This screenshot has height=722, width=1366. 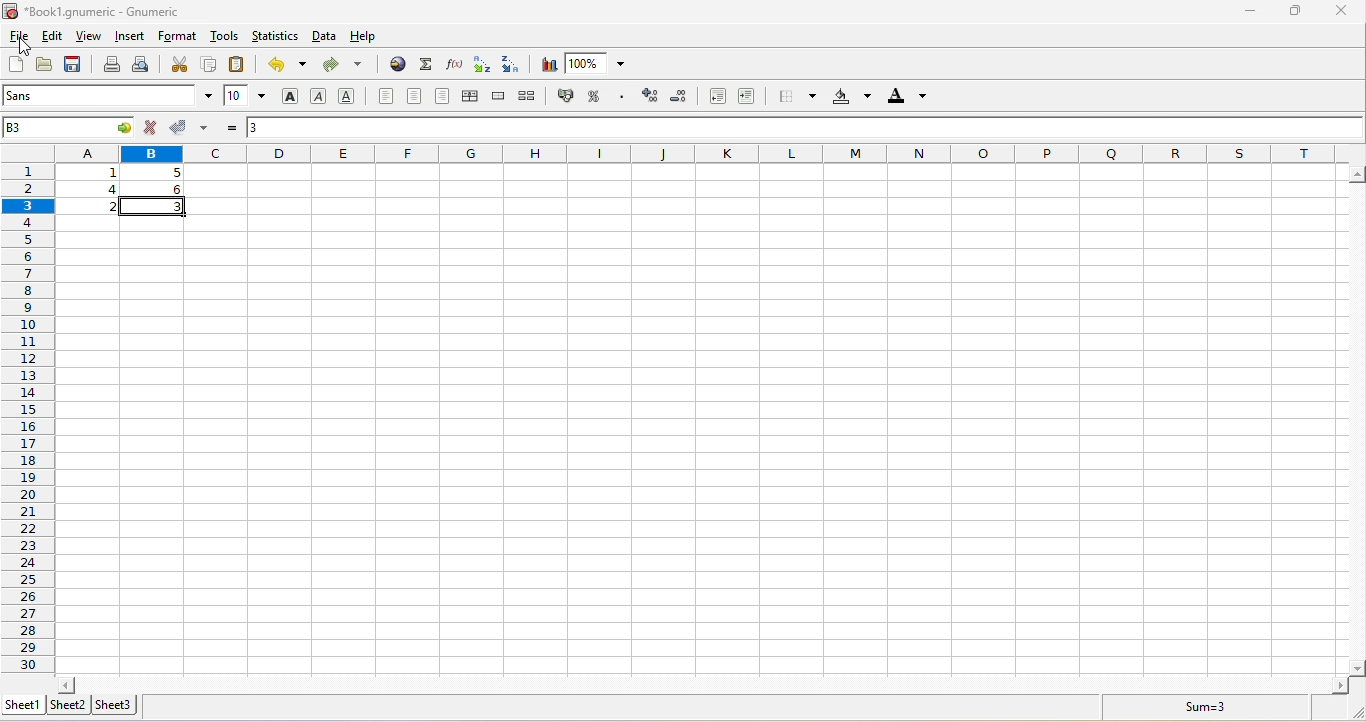 What do you see at coordinates (473, 97) in the screenshot?
I see `center horizontally` at bounding box center [473, 97].